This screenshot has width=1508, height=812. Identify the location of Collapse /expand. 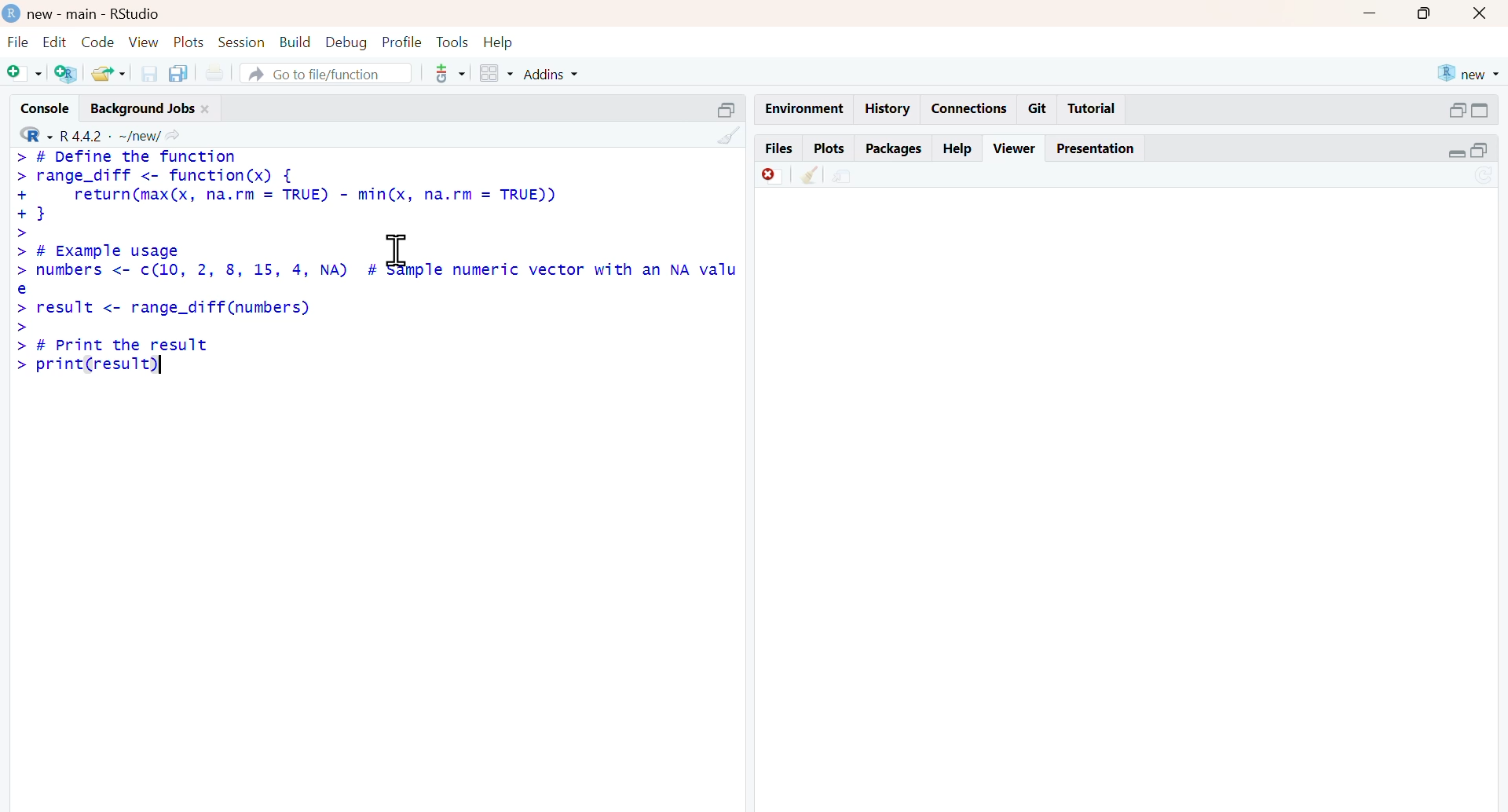
(1458, 154).